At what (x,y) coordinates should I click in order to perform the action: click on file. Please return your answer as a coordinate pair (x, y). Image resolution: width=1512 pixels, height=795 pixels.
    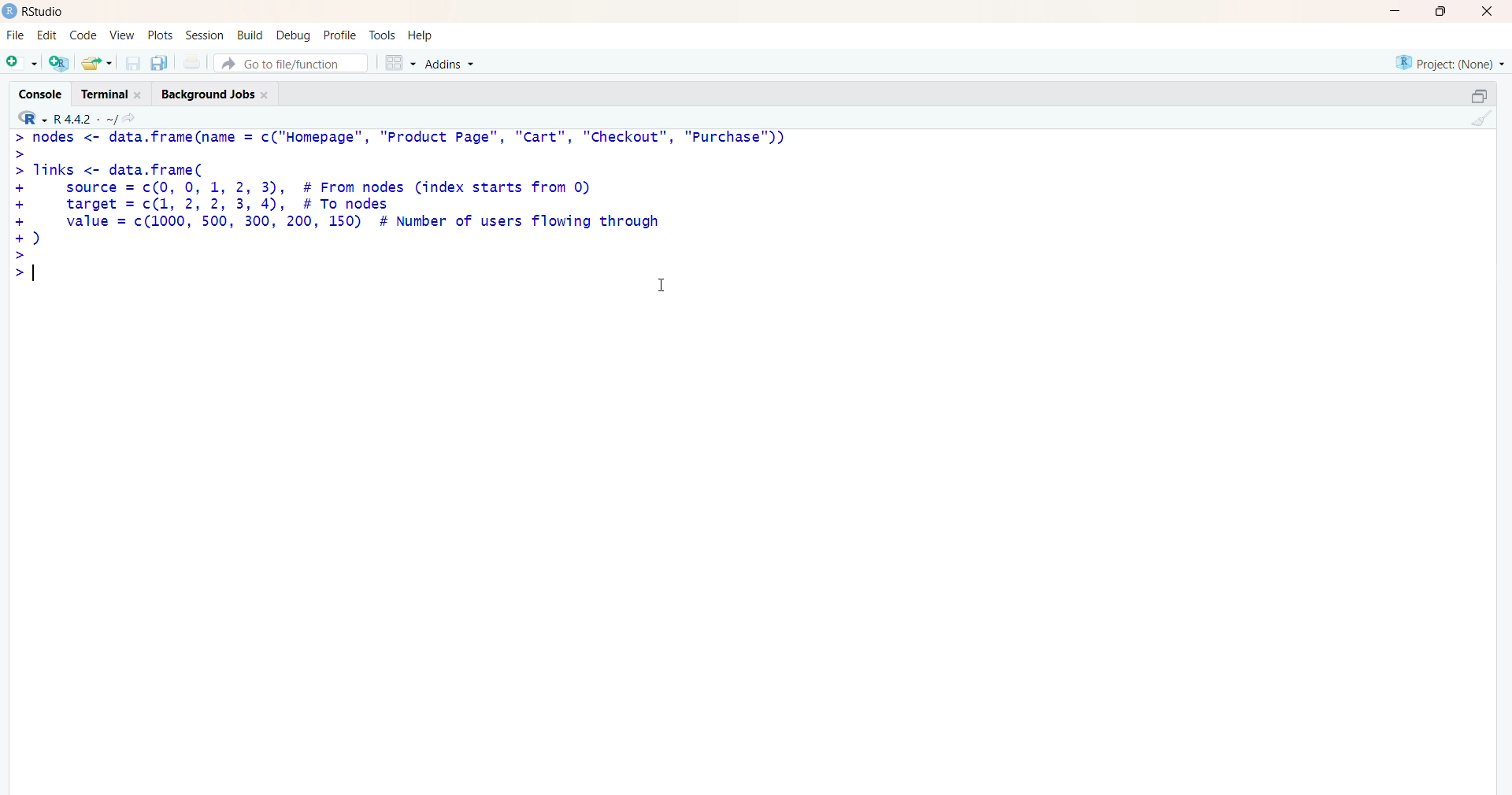
    Looking at the image, I should click on (194, 62).